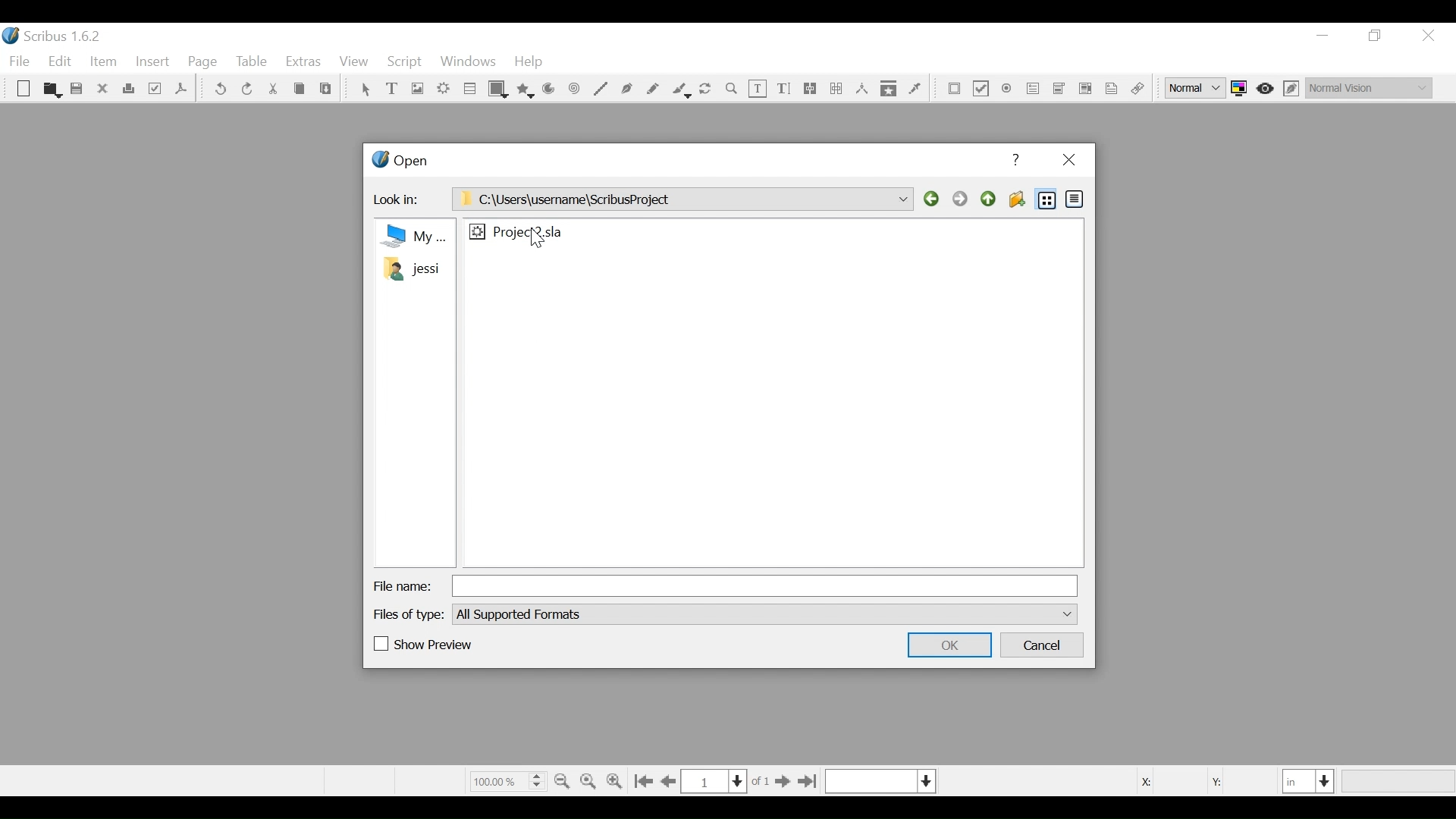  I want to click on Zoom to 100, so click(590, 779).